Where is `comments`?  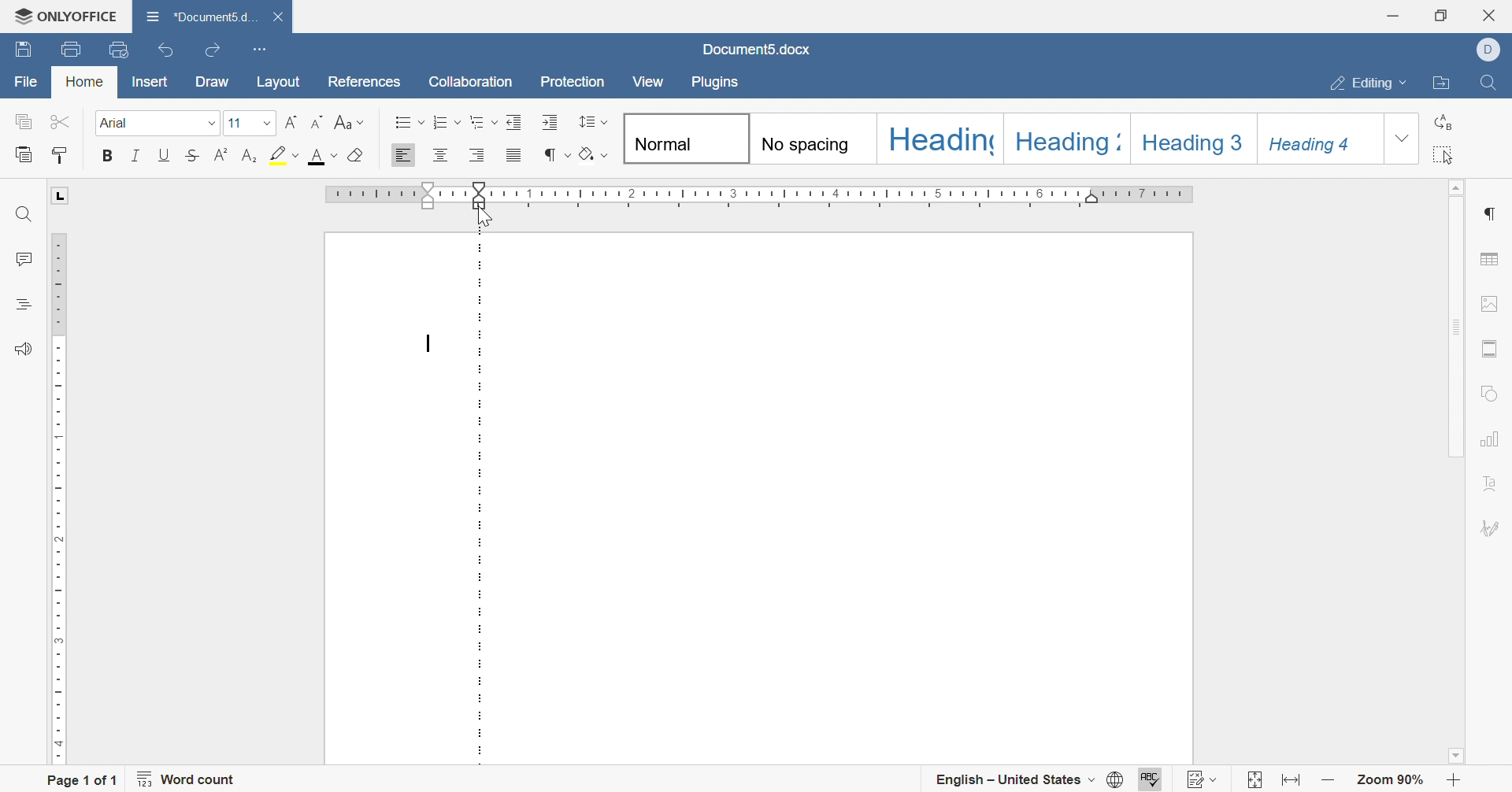 comments is located at coordinates (23, 257).